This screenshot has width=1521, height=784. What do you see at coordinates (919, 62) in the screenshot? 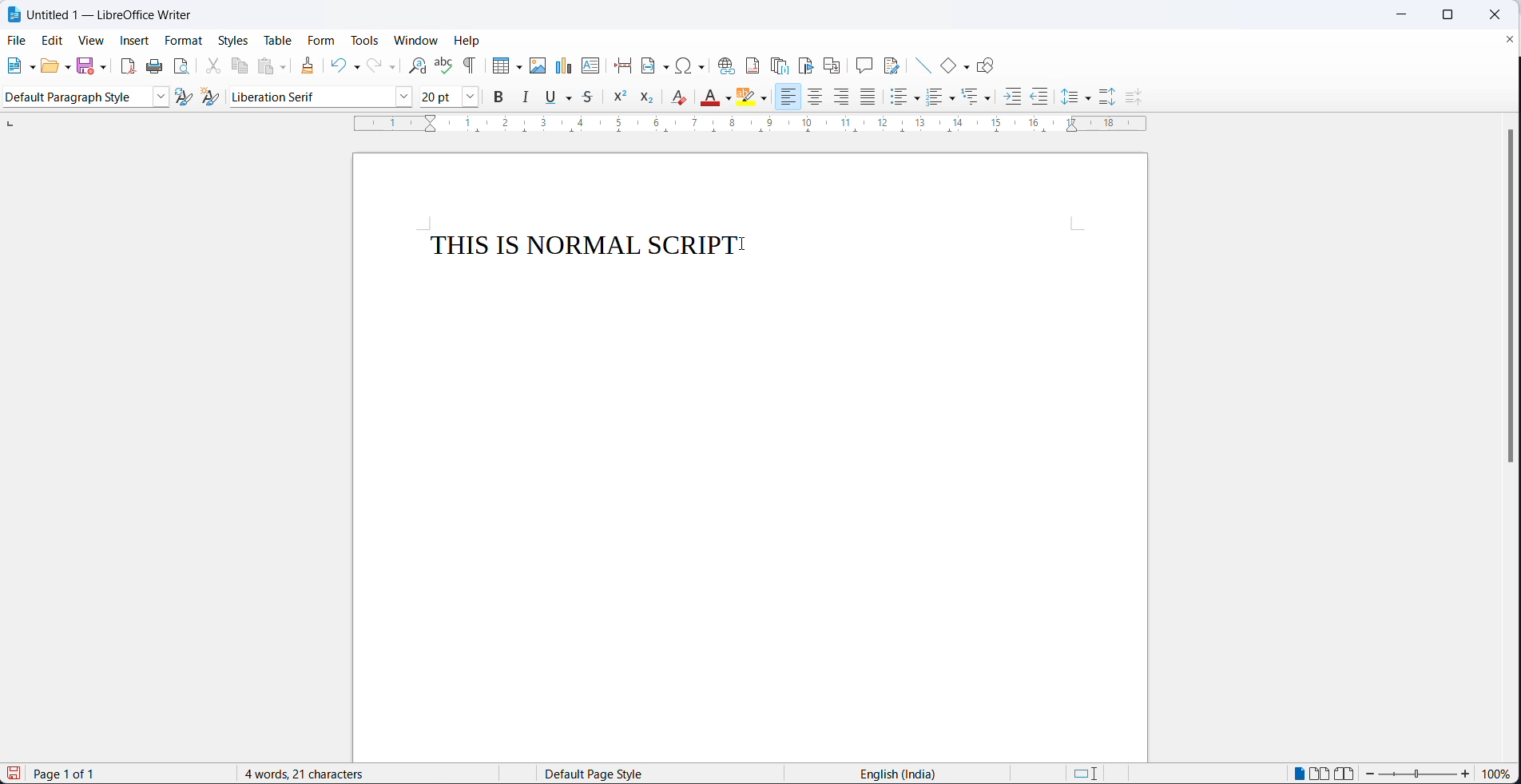
I see `insert line` at bounding box center [919, 62].